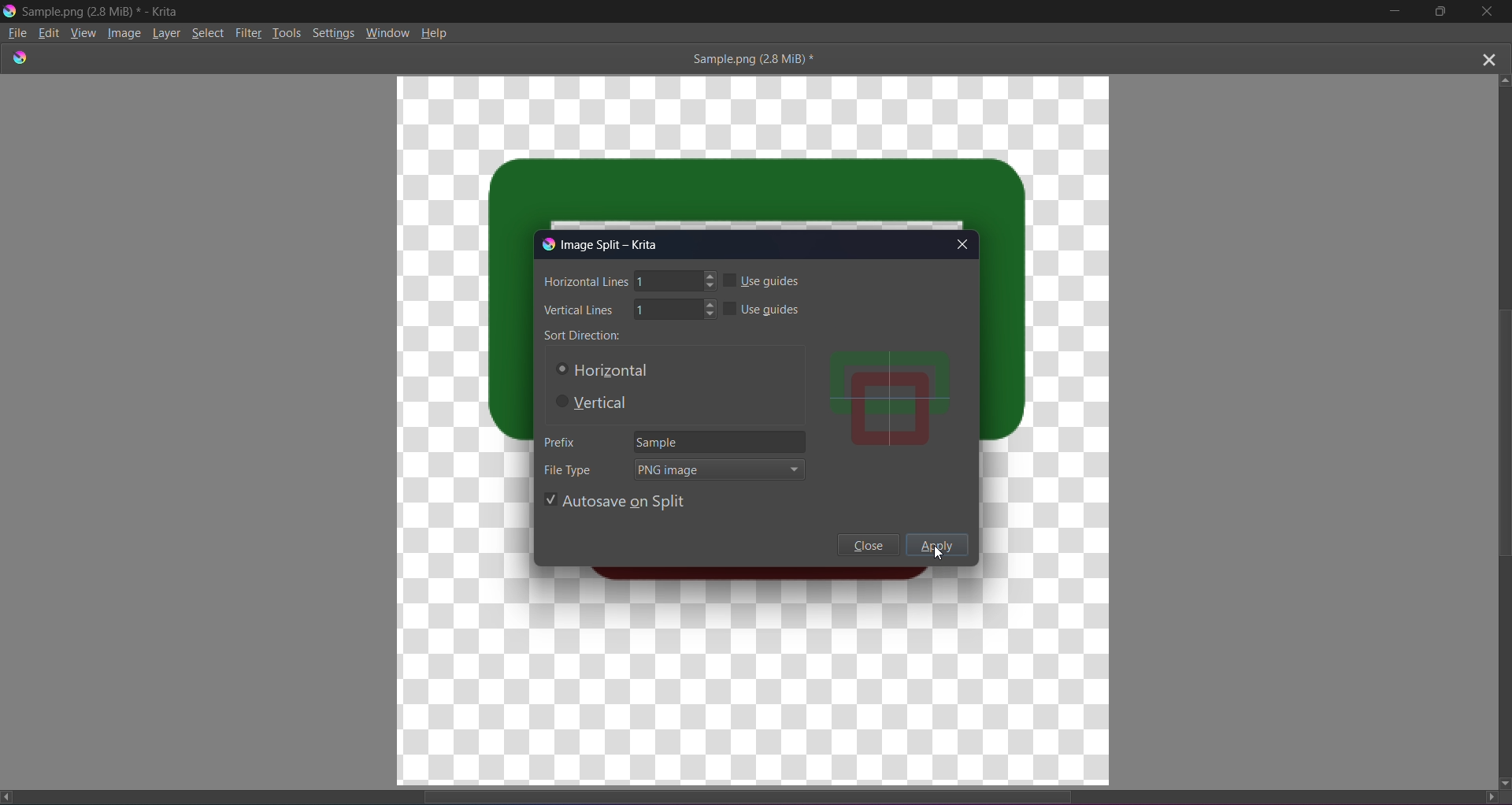 This screenshot has height=805, width=1512. I want to click on Vertical Lines, so click(628, 310).